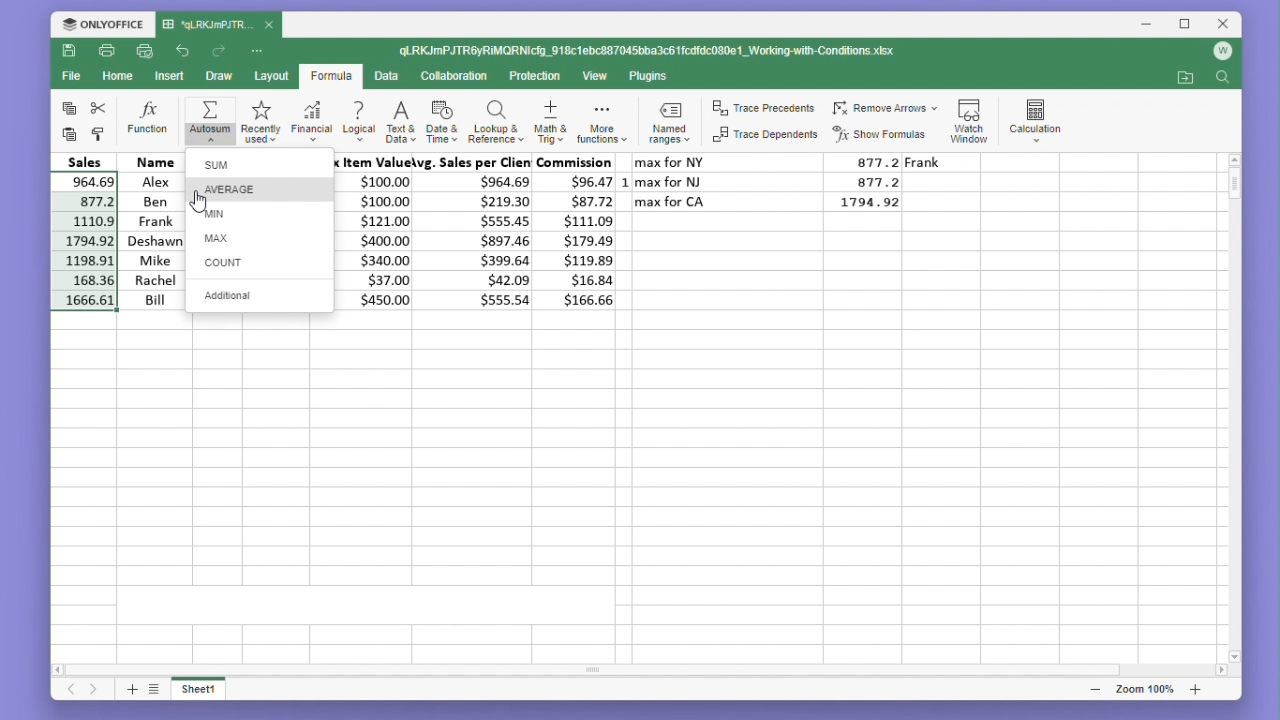  Describe the element at coordinates (258, 238) in the screenshot. I see `Max` at that location.